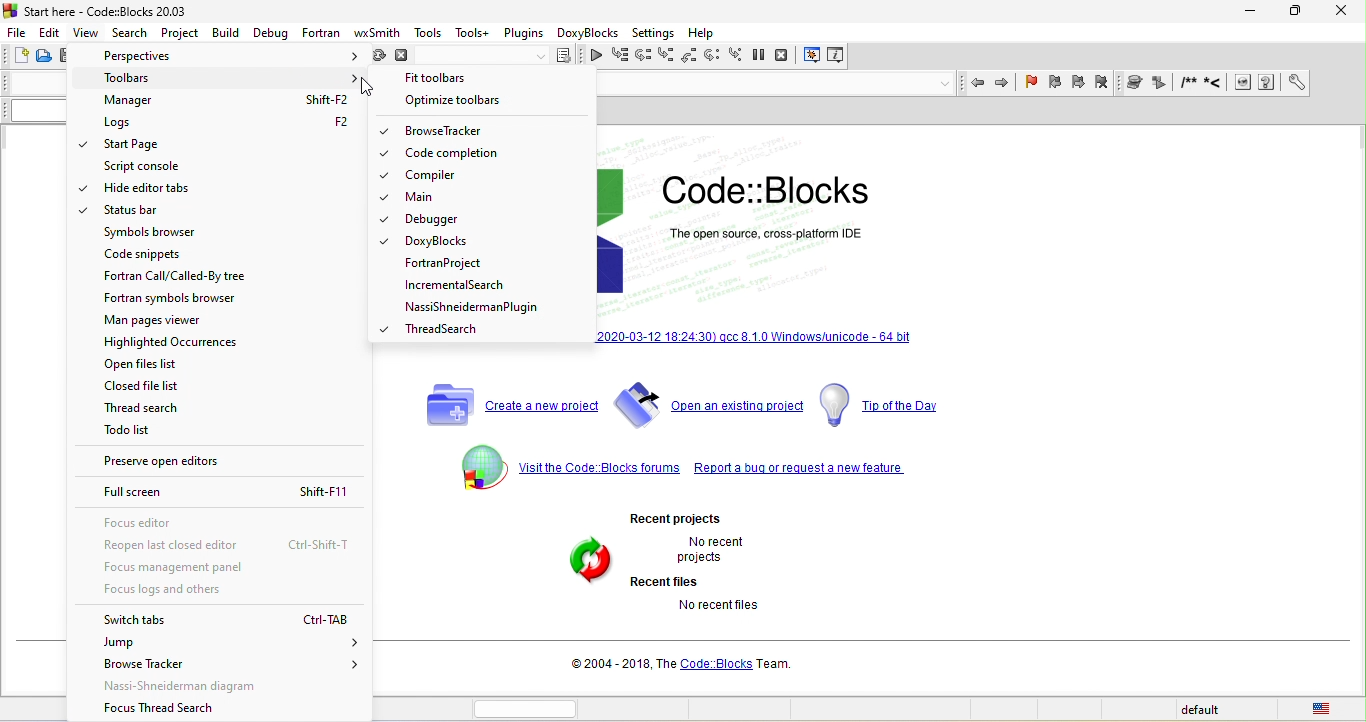  Describe the element at coordinates (150, 365) in the screenshot. I see `open file list` at that location.